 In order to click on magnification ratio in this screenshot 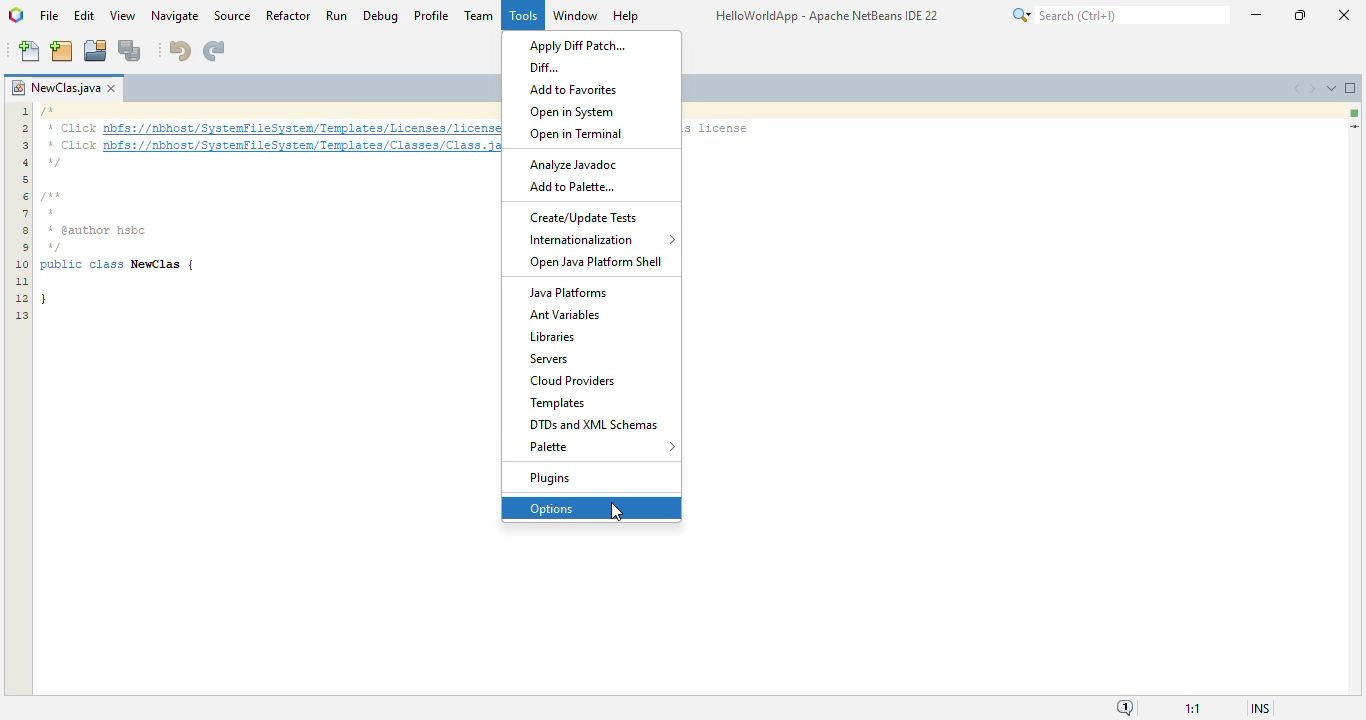, I will do `click(1193, 709)`.